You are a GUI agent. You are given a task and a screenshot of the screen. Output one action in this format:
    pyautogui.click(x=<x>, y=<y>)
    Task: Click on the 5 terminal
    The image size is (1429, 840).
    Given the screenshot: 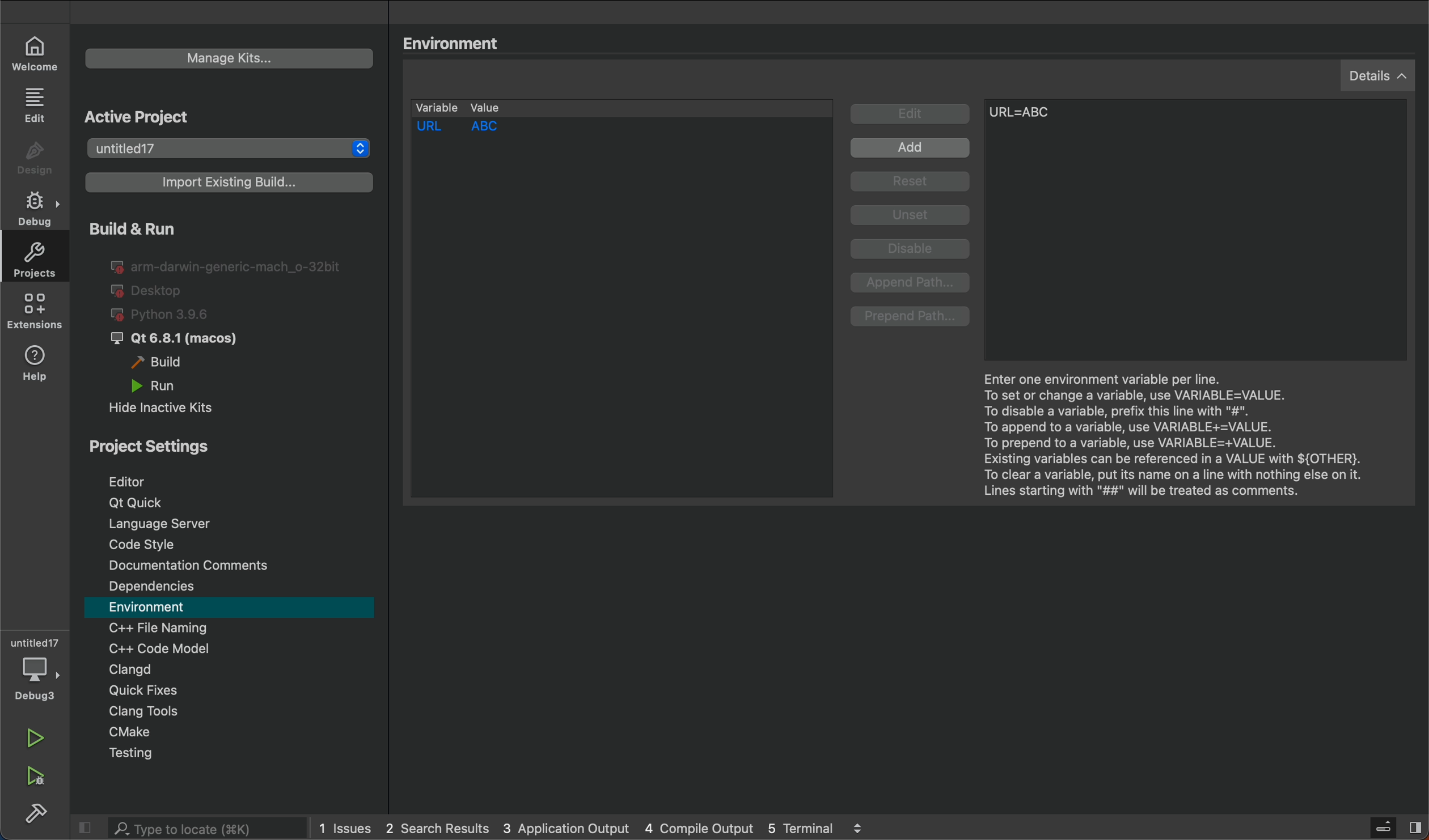 What is the action you would take?
    pyautogui.click(x=849, y=828)
    